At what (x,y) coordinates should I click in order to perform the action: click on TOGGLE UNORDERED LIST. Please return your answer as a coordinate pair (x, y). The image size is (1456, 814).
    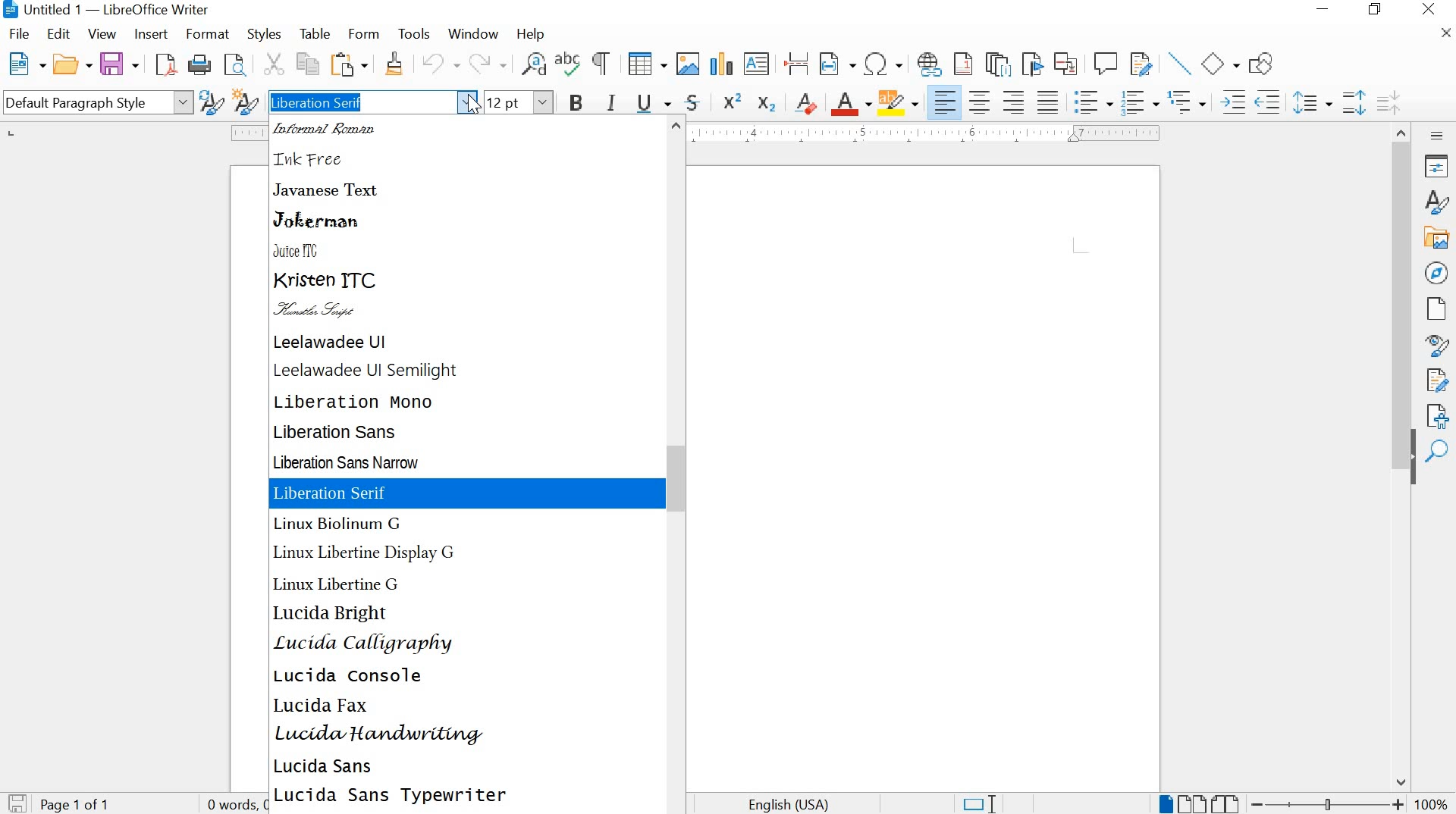
    Looking at the image, I should click on (1095, 102).